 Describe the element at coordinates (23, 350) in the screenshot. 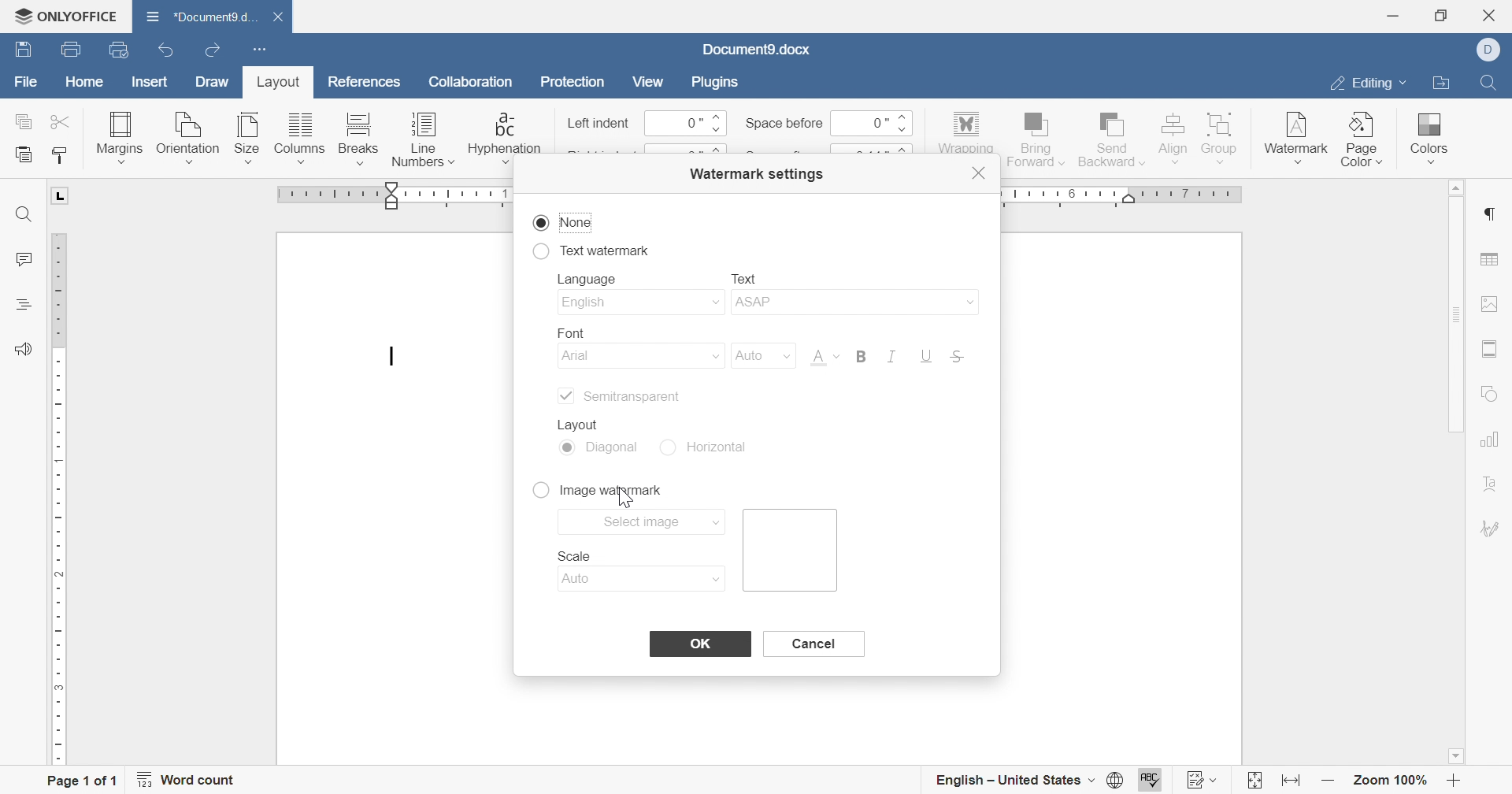

I see `feedback and support` at that location.